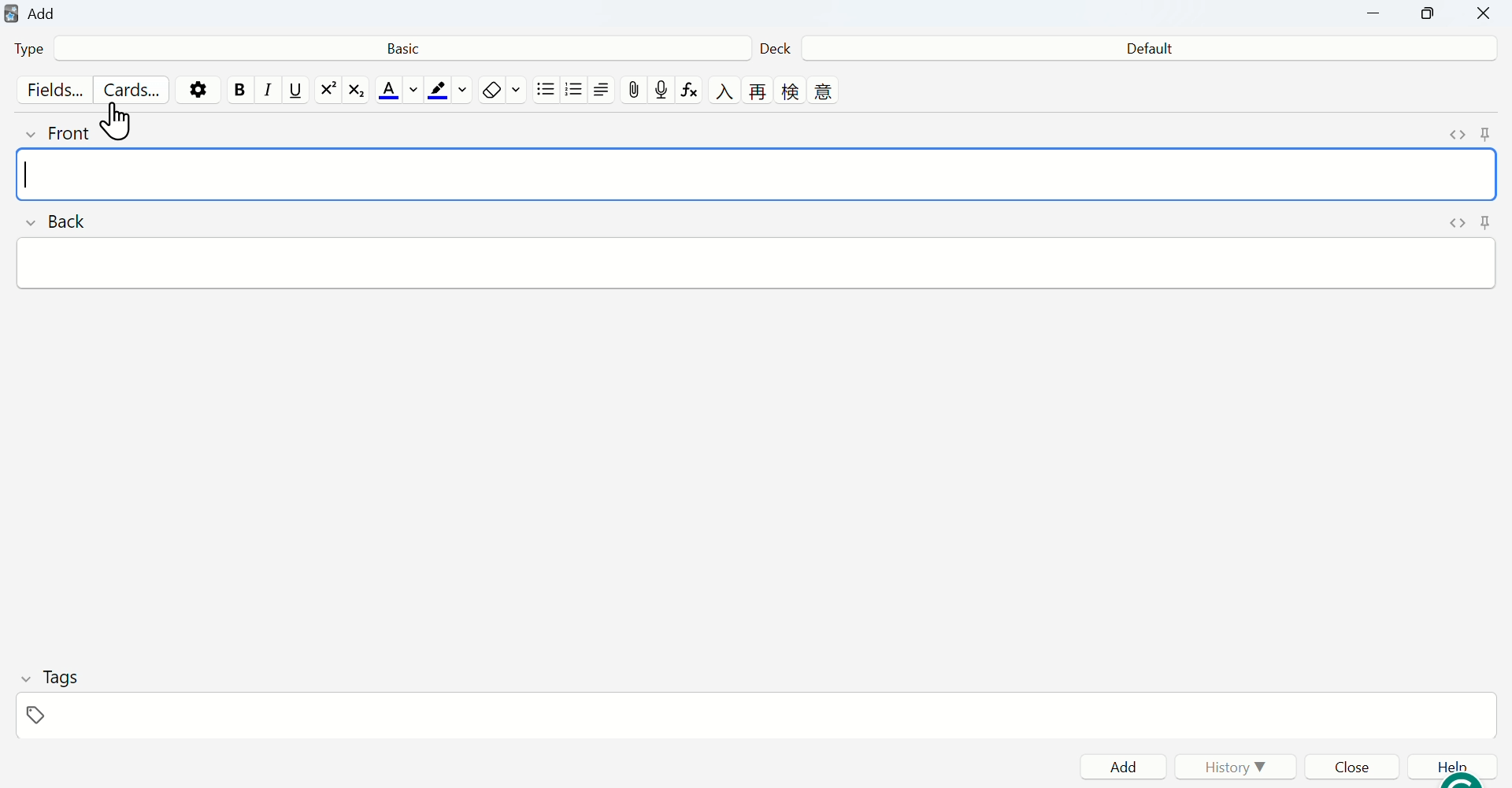 The width and height of the screenshot is (1512, 788). I want to click on Tags, so click(59, 676).